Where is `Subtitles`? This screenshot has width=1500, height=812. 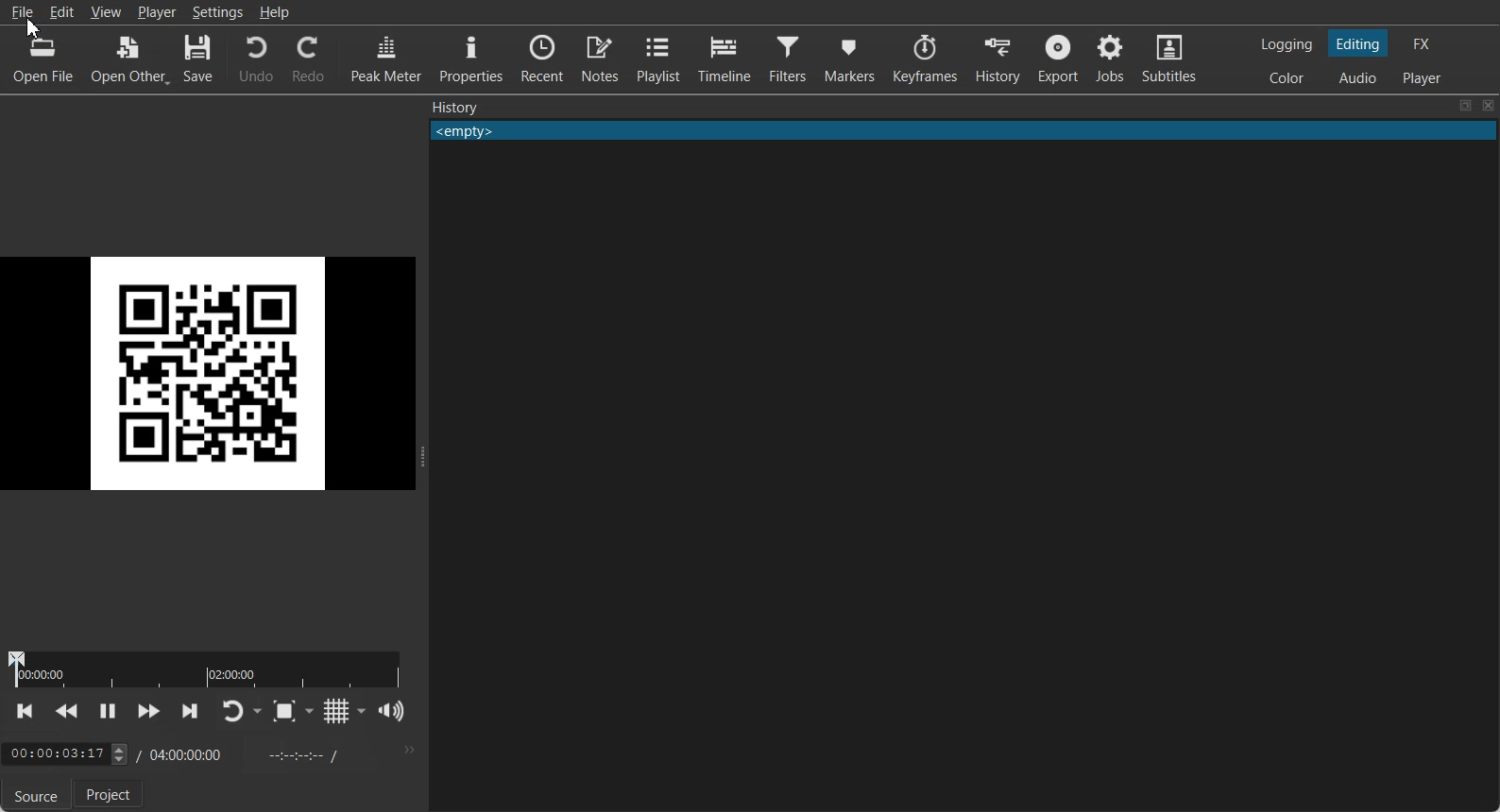
Subtitles is located at coordinates (1169, 57).